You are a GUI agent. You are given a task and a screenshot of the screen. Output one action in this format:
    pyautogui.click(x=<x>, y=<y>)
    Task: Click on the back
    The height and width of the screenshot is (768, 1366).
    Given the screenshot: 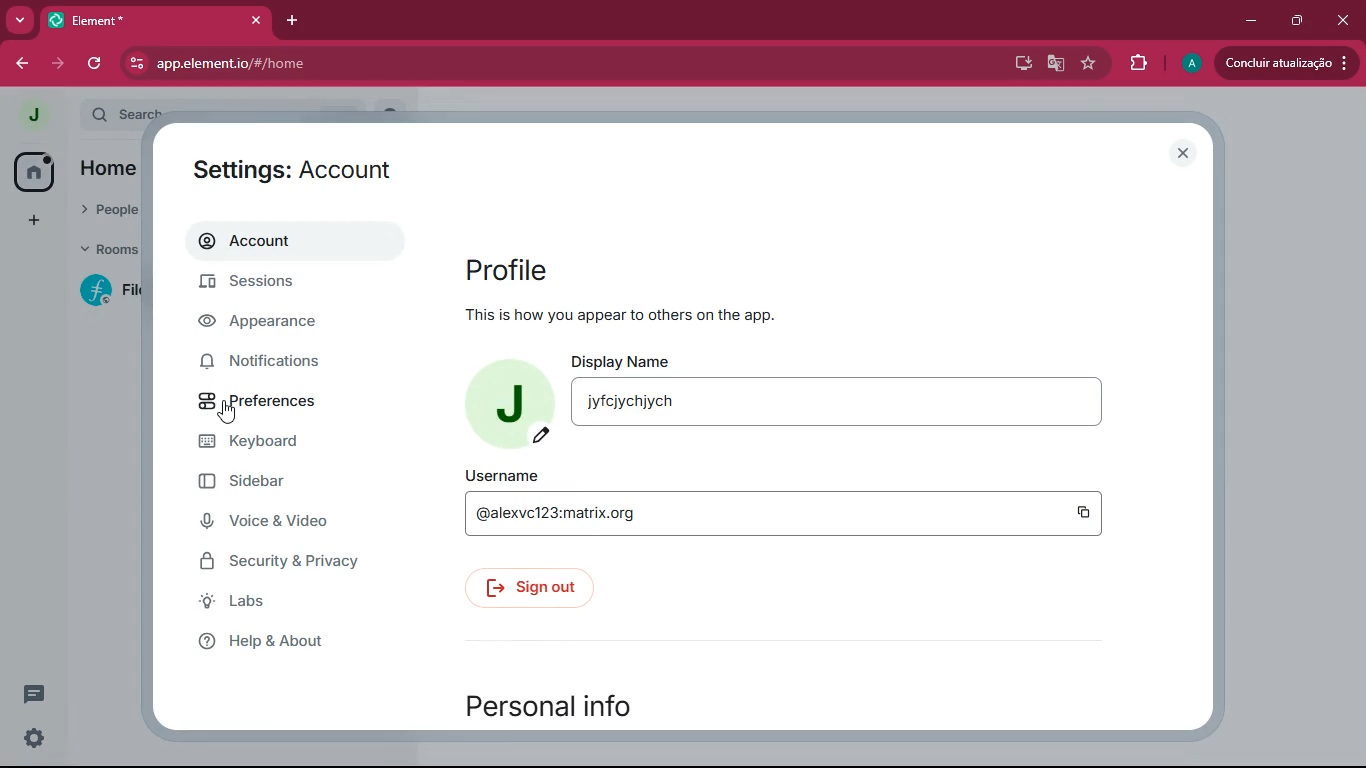 What is the action you would take?
    pyautogui.click(x=18, y=61)
    